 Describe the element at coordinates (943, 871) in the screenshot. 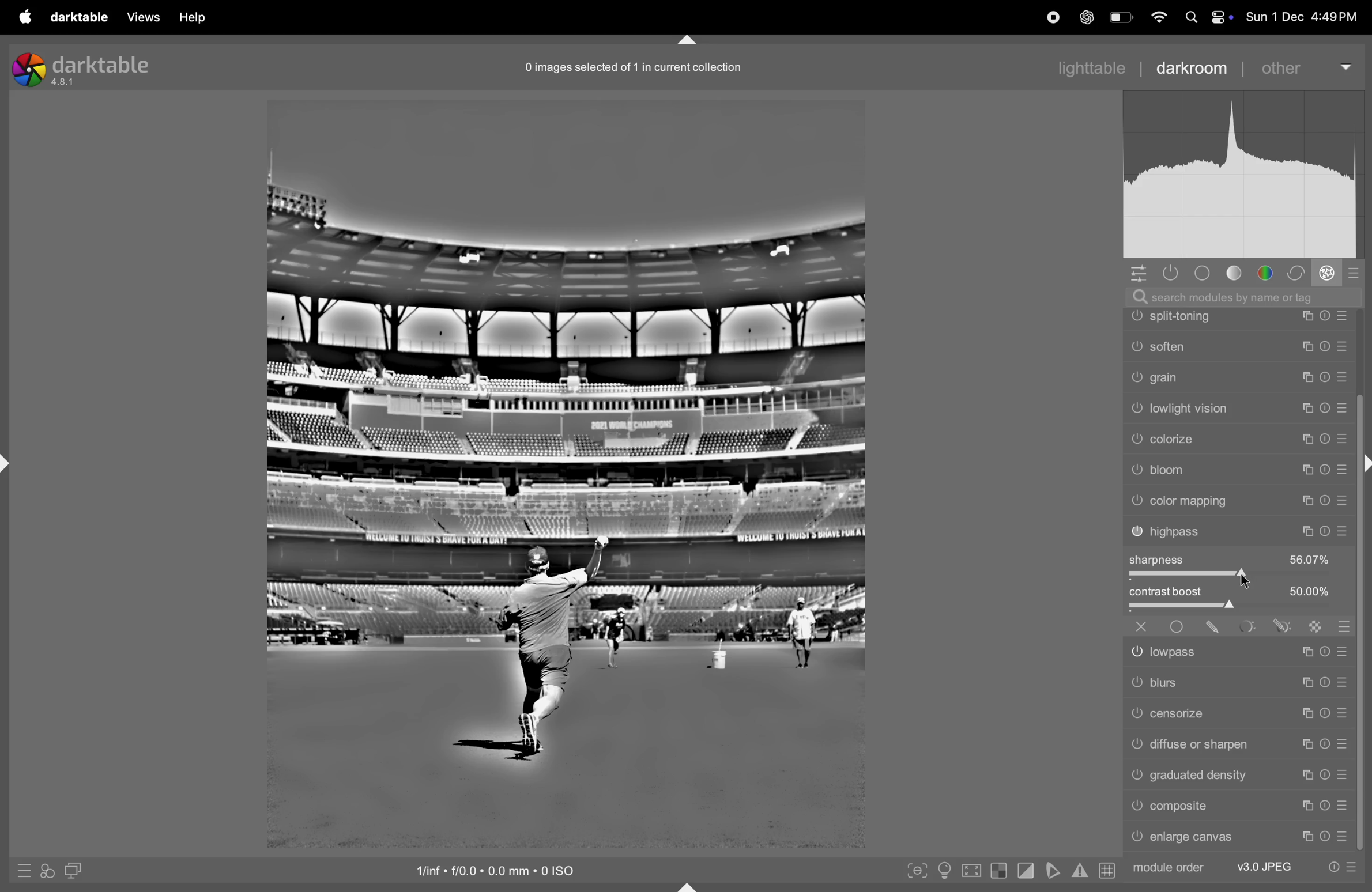

I see `toggle iso` at that location.